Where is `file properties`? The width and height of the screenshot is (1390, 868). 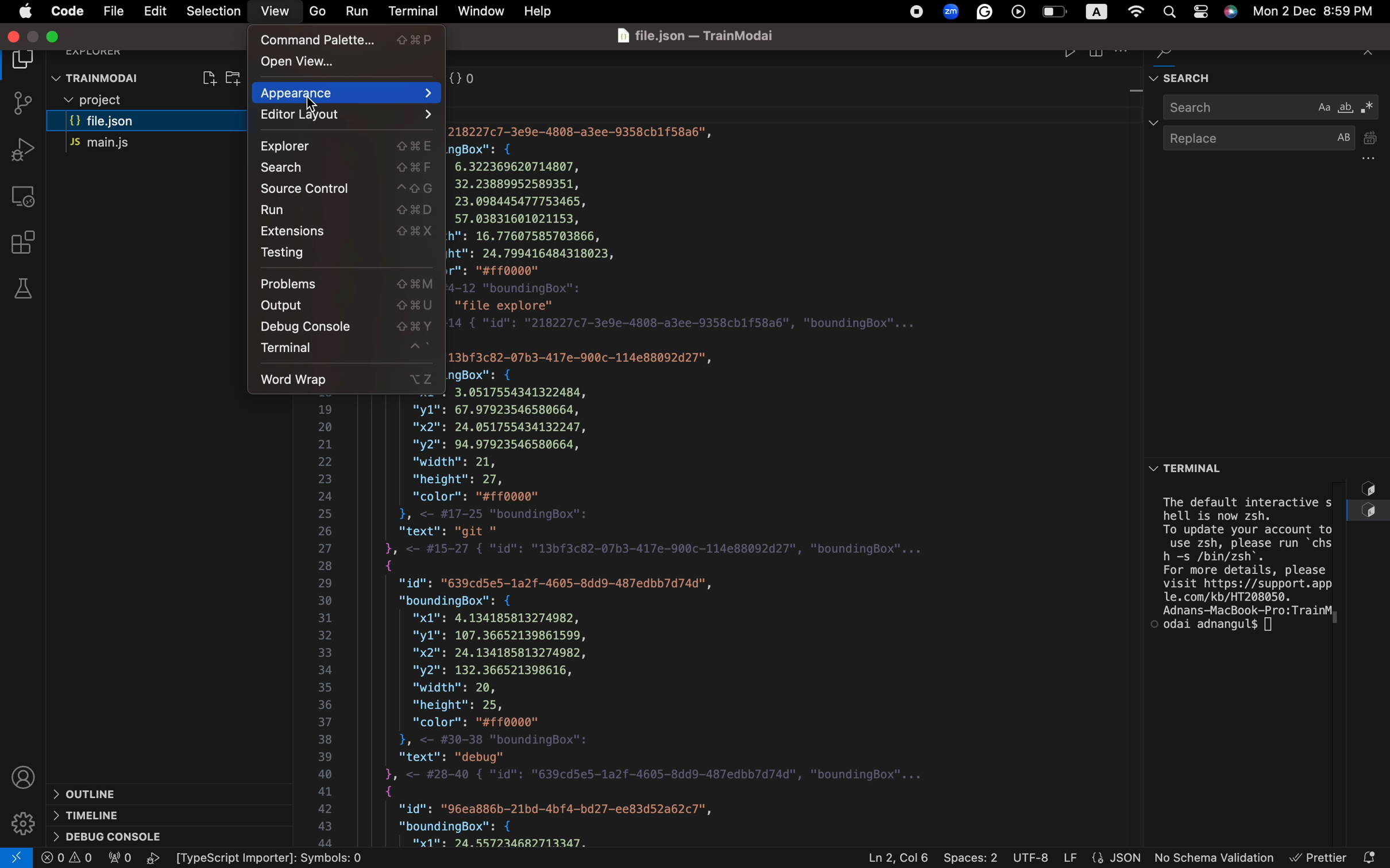
file properties is located at coordinates (1101, 858).